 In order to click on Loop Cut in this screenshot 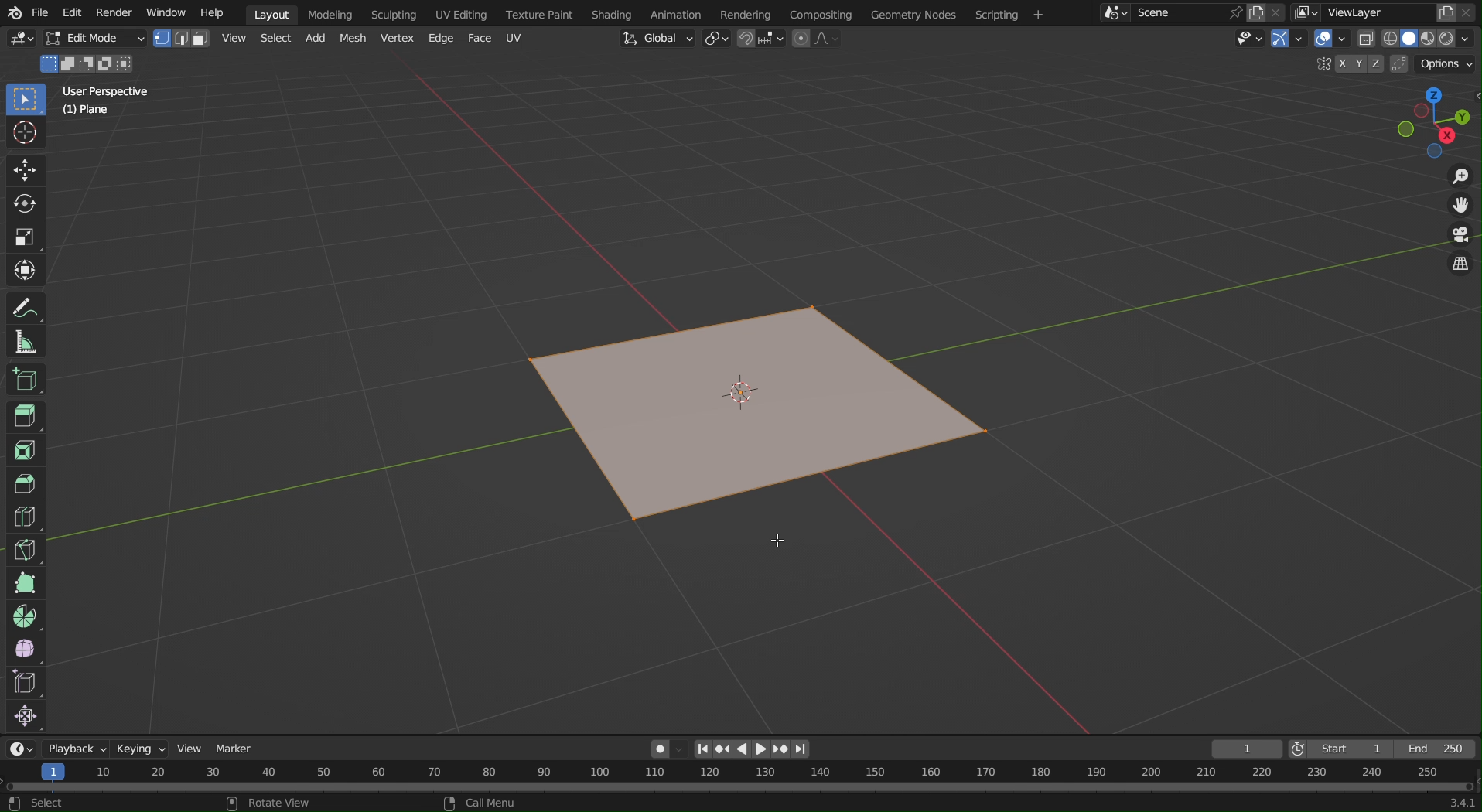, I will do `click(23, 517)`.